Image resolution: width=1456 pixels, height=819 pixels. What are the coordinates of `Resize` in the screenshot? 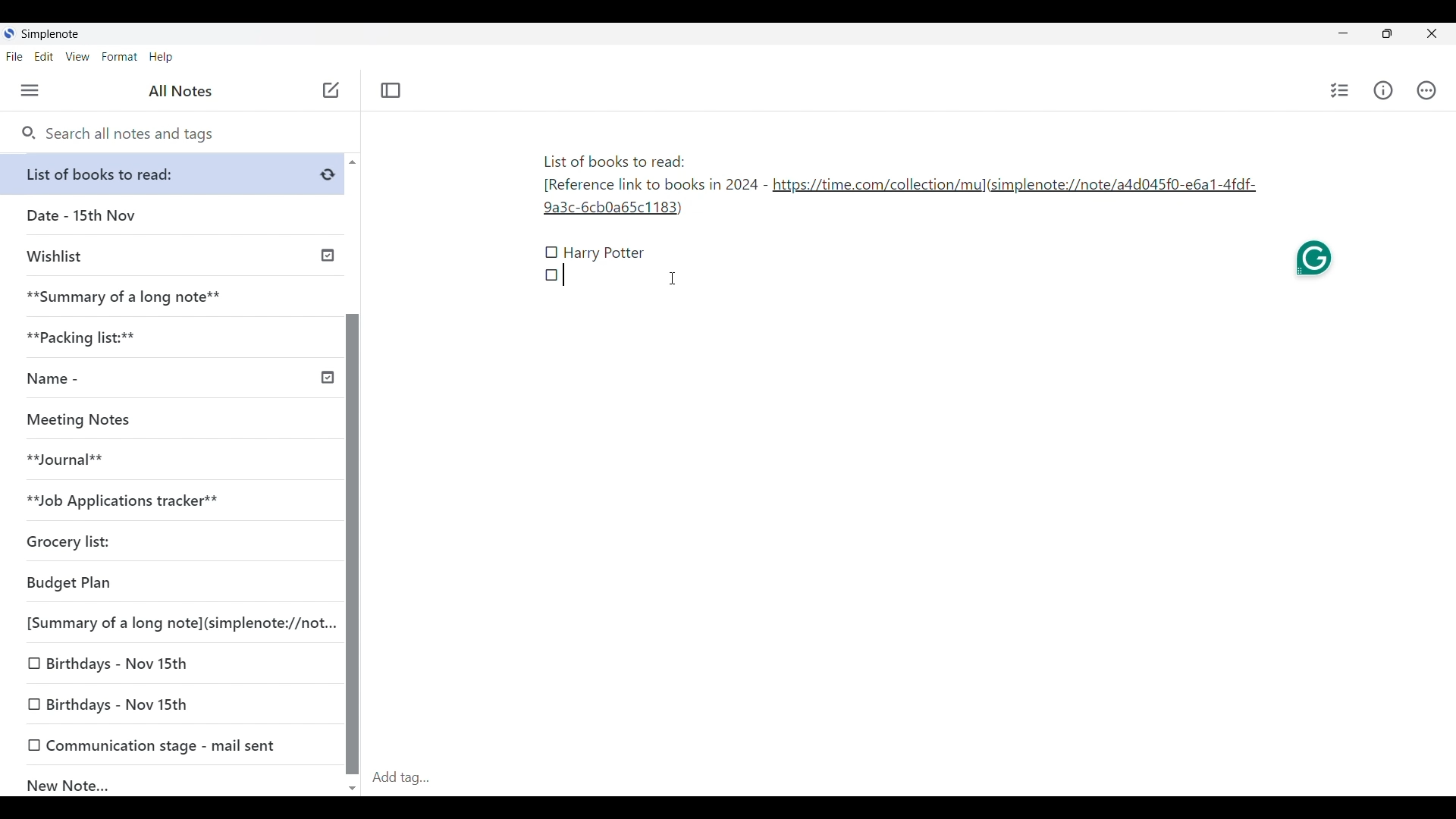 It's located at (1382, 35).